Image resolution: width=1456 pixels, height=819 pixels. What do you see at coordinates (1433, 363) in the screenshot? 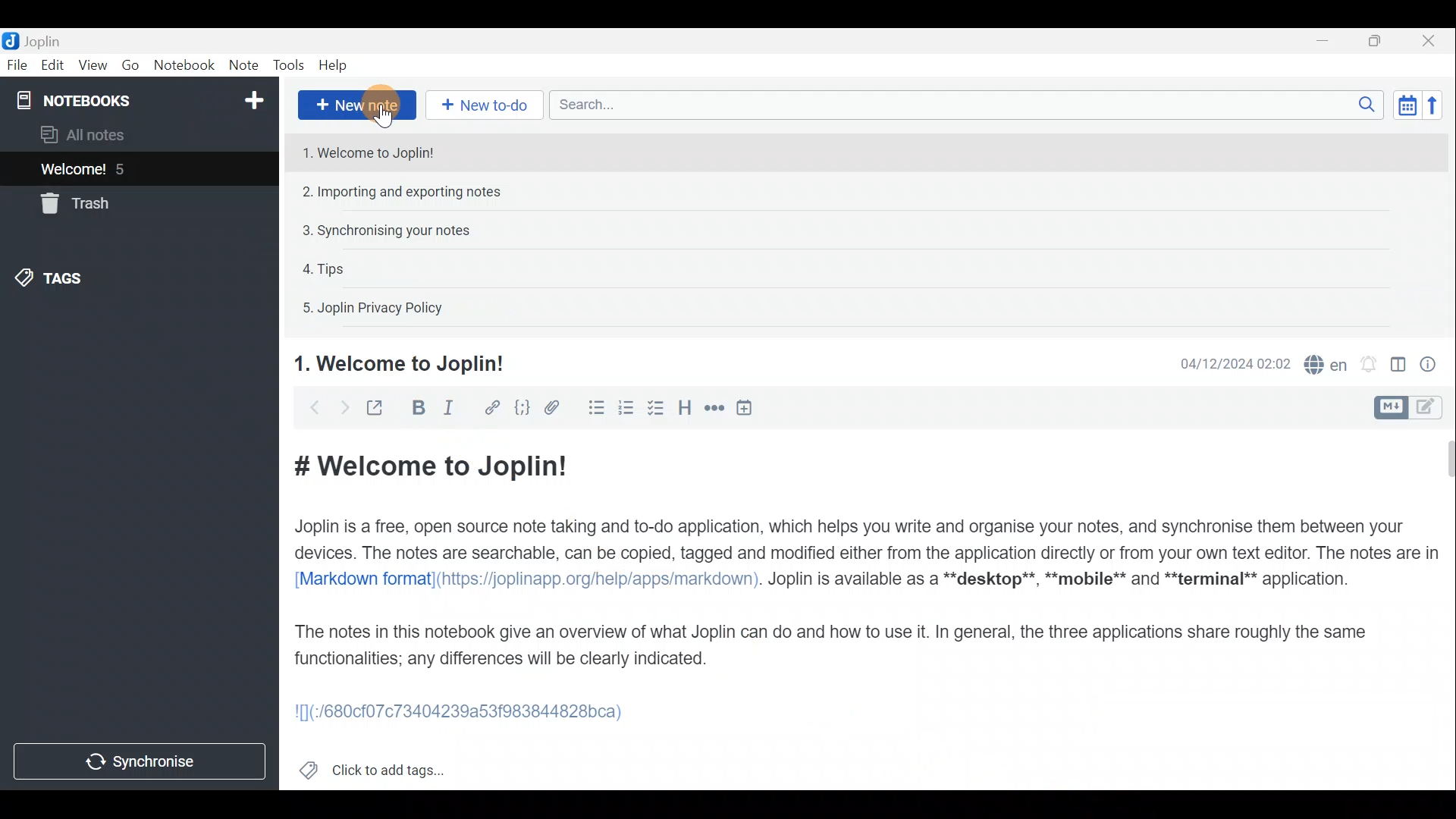
I see `Note properties` at bounding box center [1433, 363].